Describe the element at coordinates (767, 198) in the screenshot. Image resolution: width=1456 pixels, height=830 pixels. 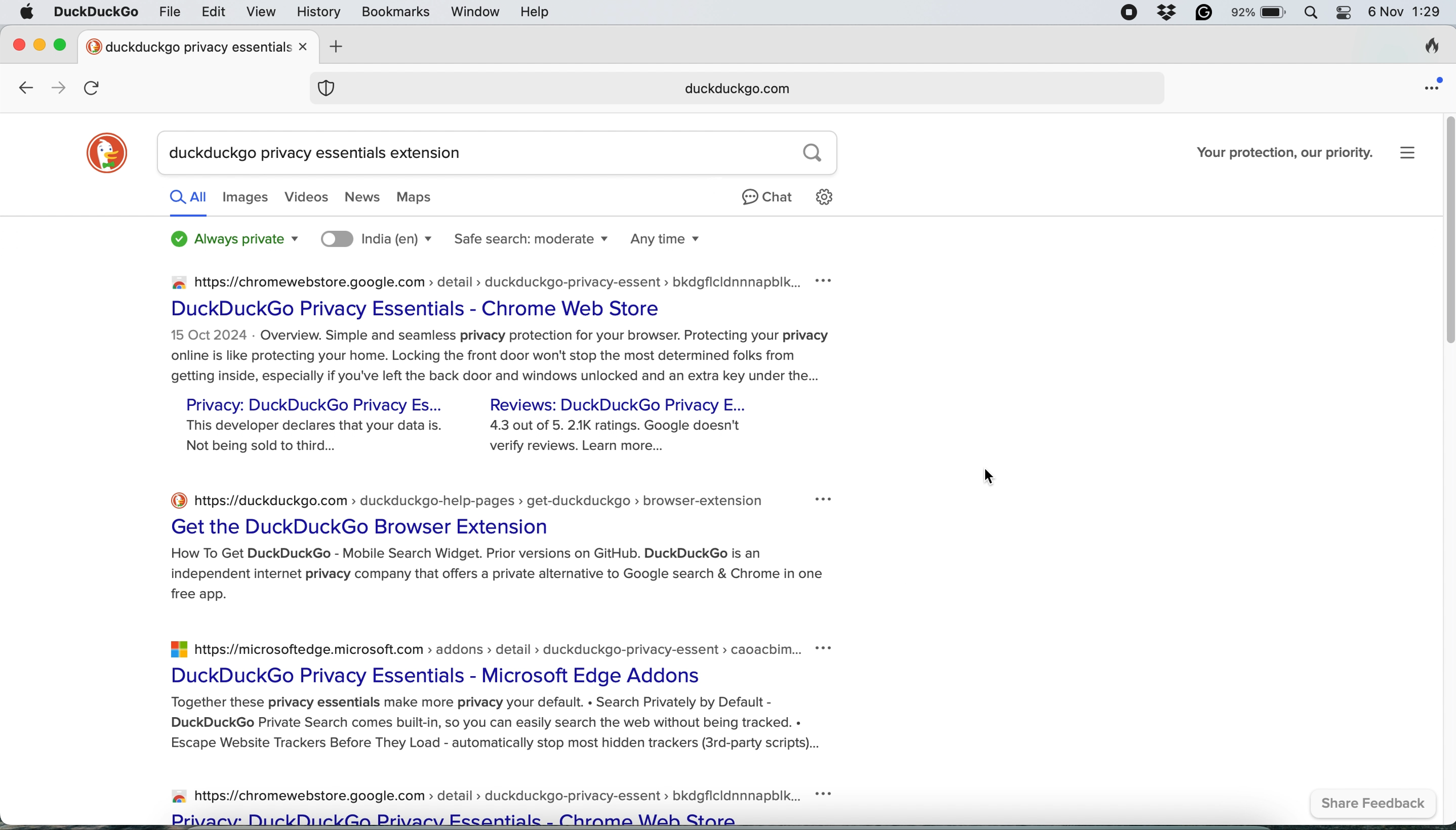
I see `chat` at that location.